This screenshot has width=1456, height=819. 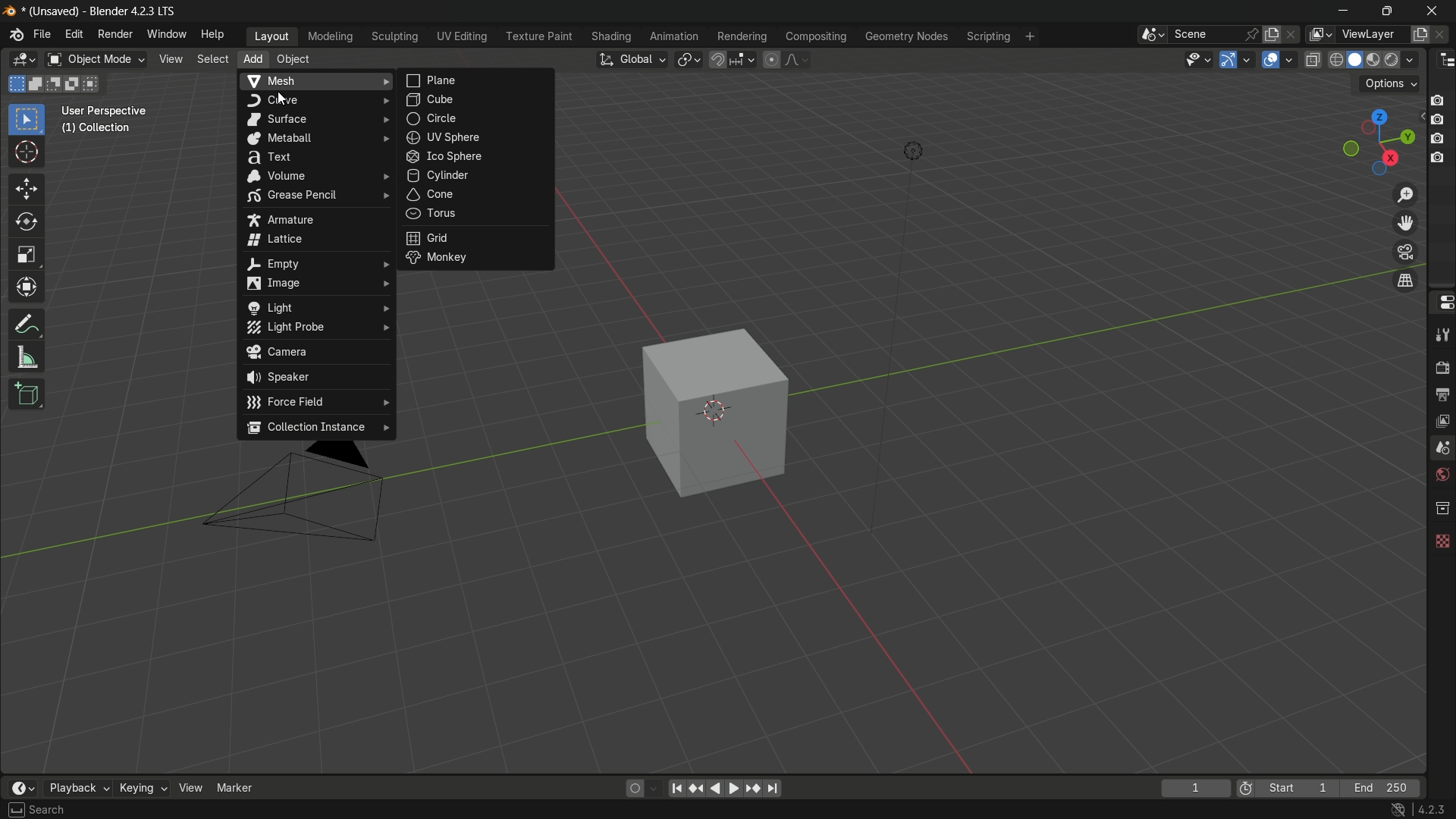 I want to click on light, so click(x=908, y=154).